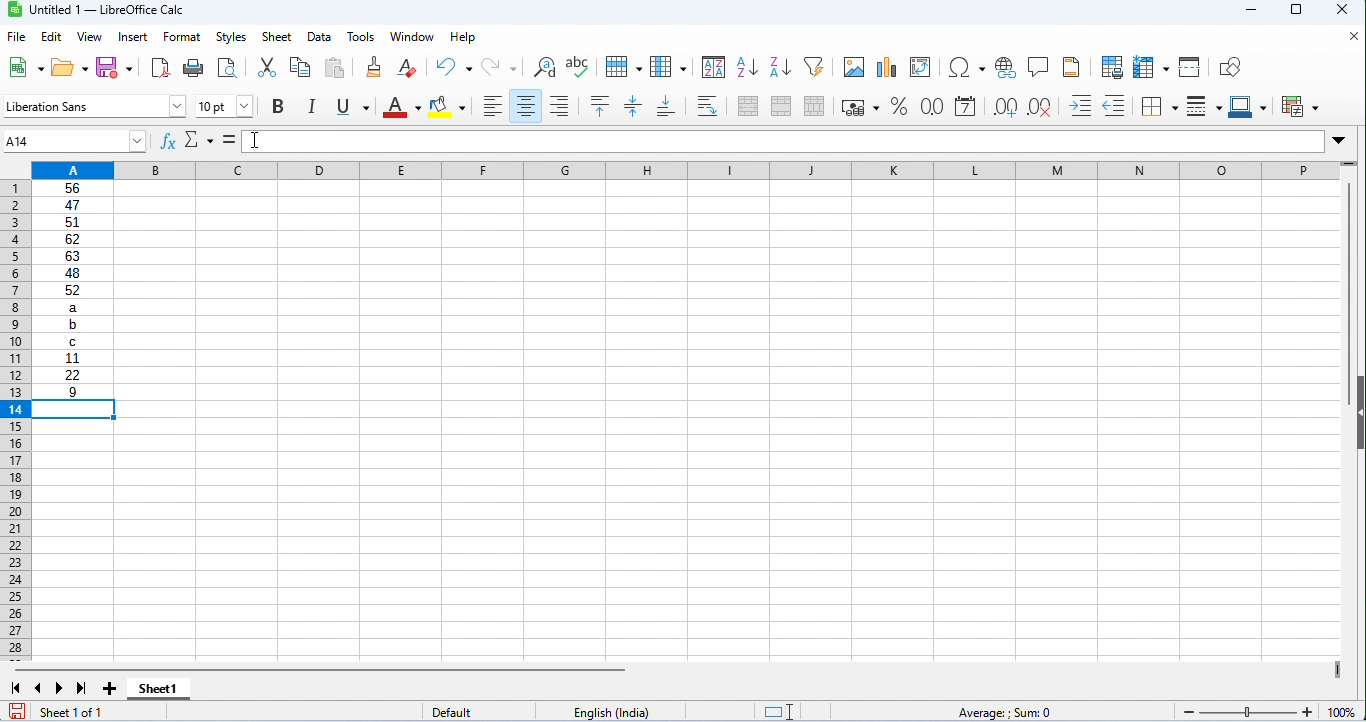  What do you see at coordinates (1037, 66) in the screenshot?
I see `insert comment` at bounding box center [1037, 66].